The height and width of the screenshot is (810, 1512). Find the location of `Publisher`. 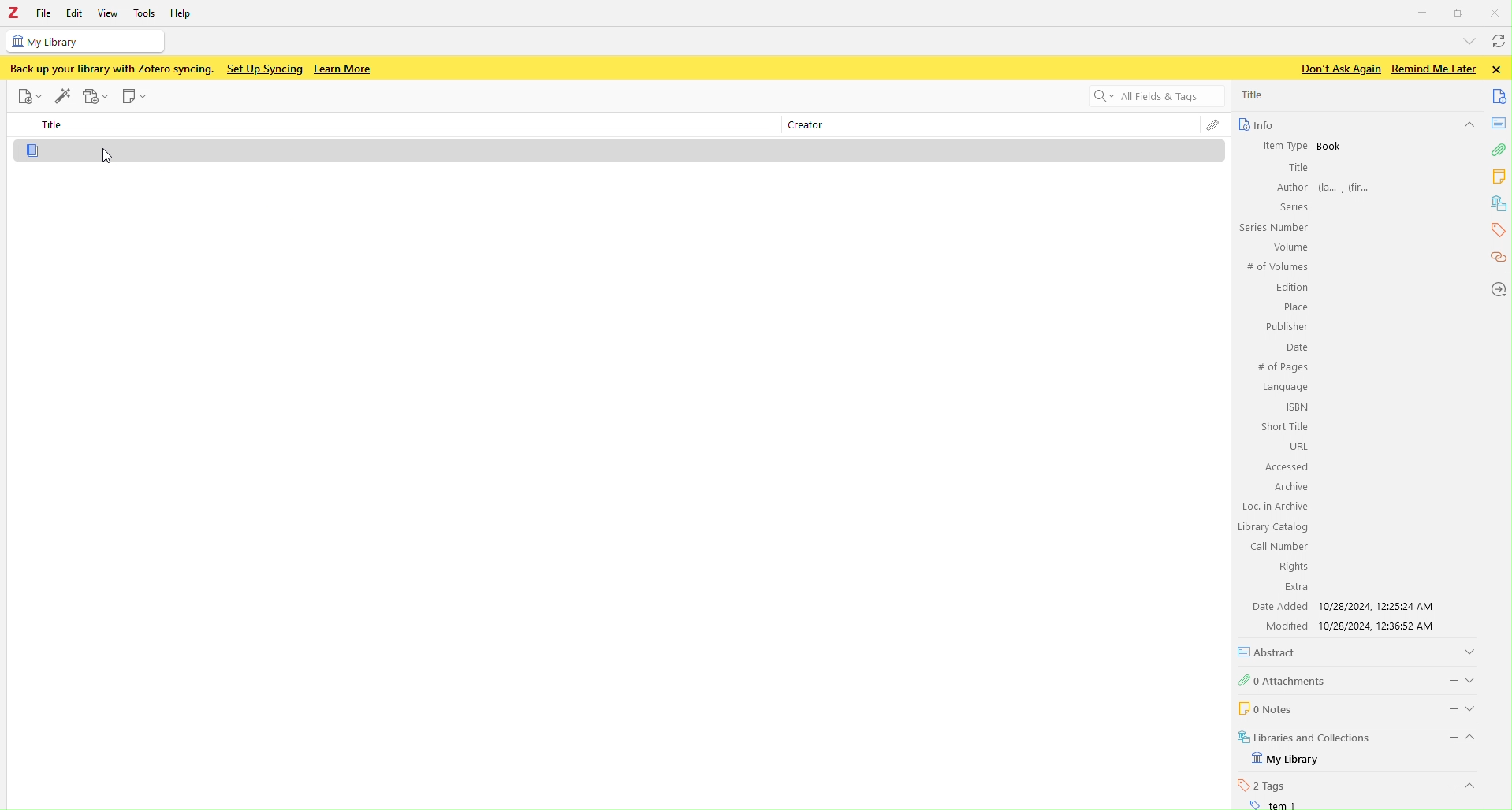

Publisher is located at coordinates (1285, 326).